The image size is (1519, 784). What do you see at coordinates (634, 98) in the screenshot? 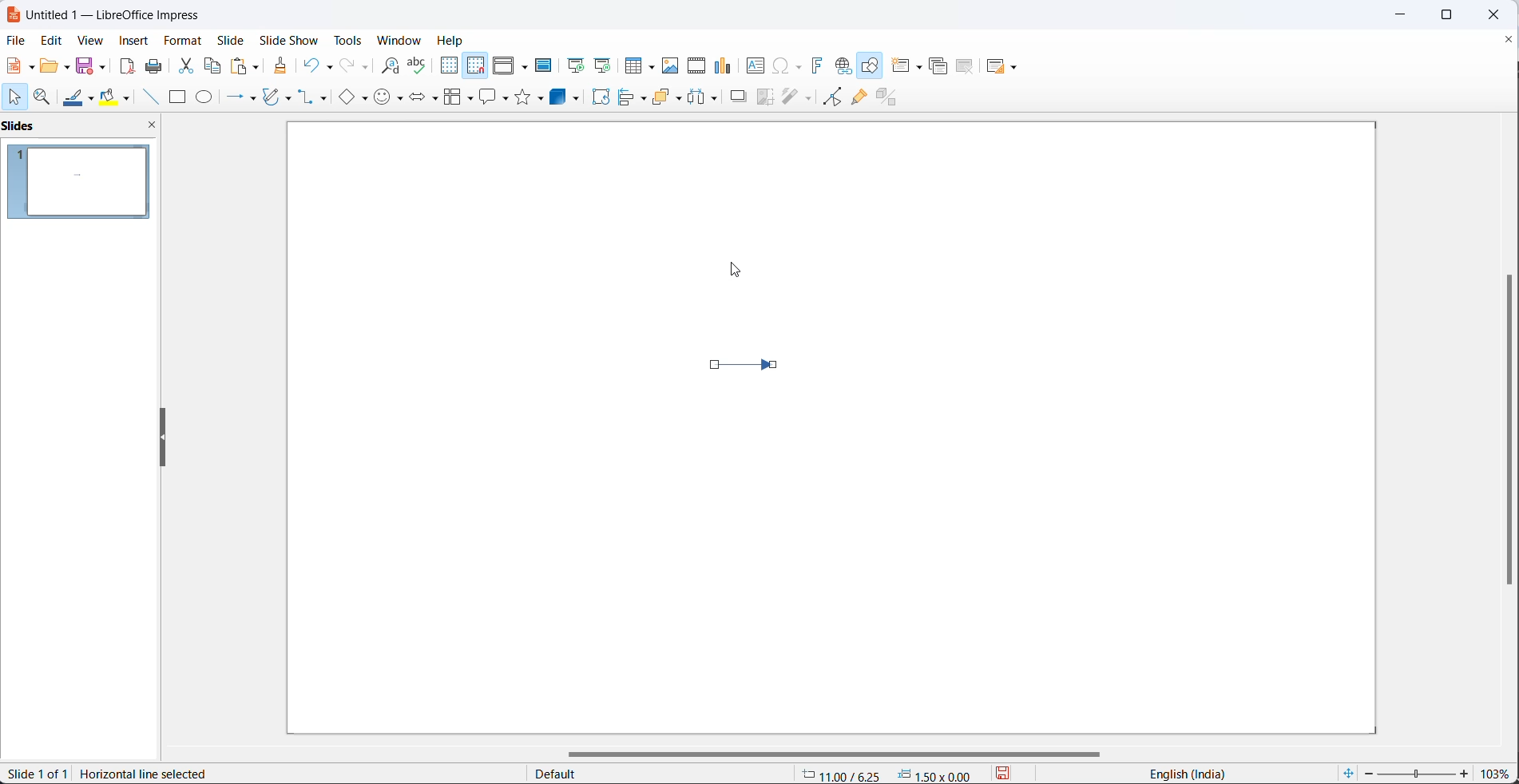
I see `align` at bounding box center [634, 98].